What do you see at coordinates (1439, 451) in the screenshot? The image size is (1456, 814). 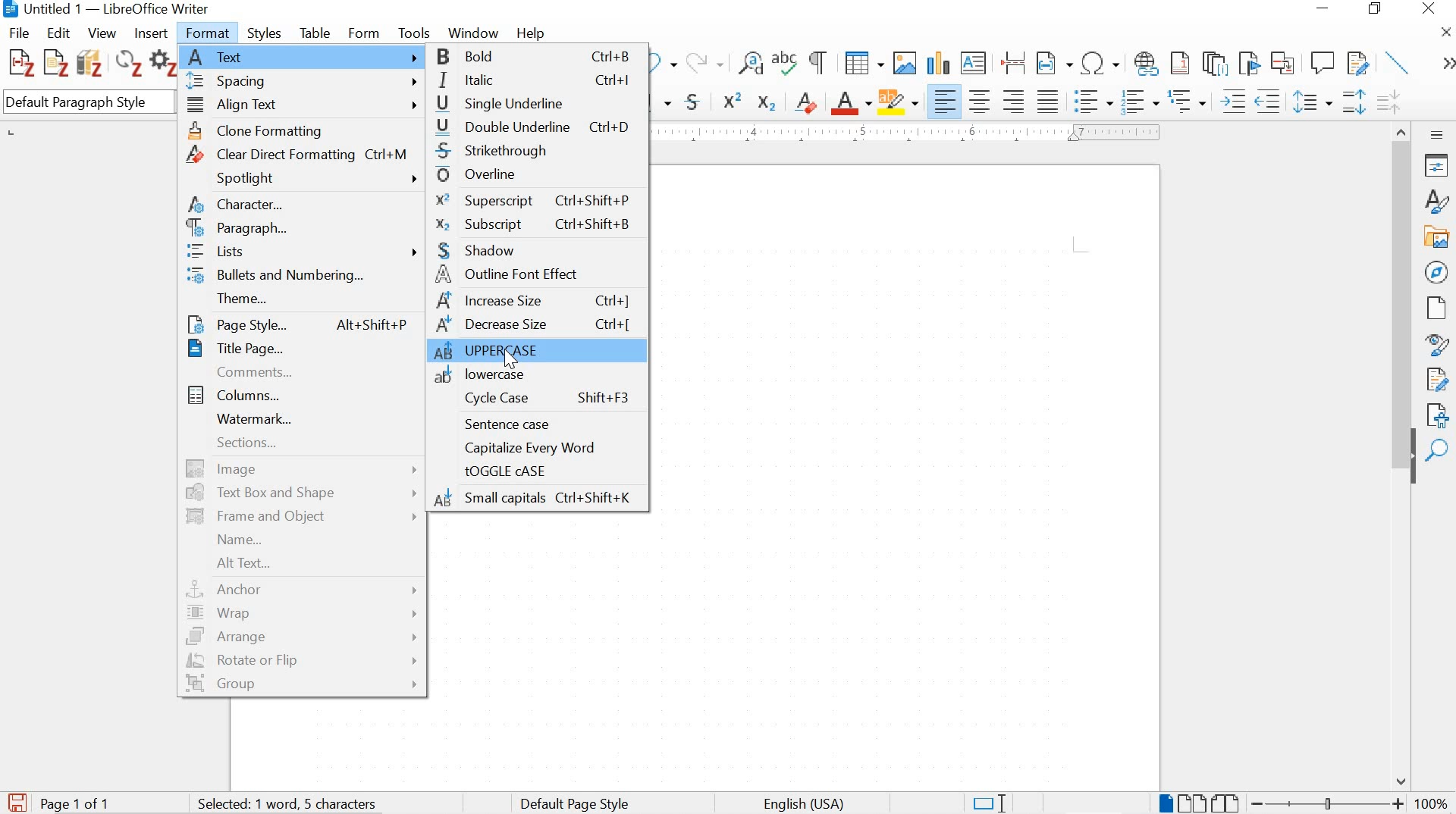 I see `find` at bounding box center [1439, 451].